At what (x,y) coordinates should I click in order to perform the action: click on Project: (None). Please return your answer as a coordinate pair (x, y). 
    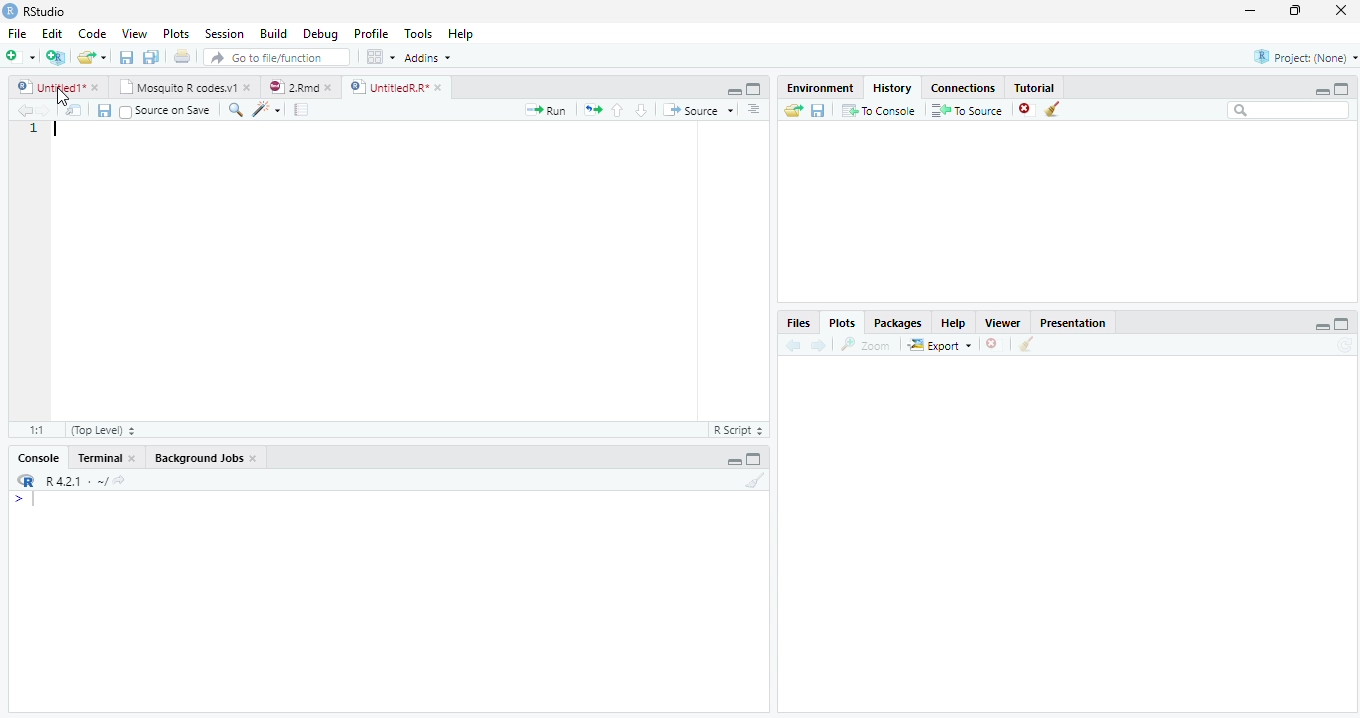
    Looking at the image, I should click on (1299, 59).